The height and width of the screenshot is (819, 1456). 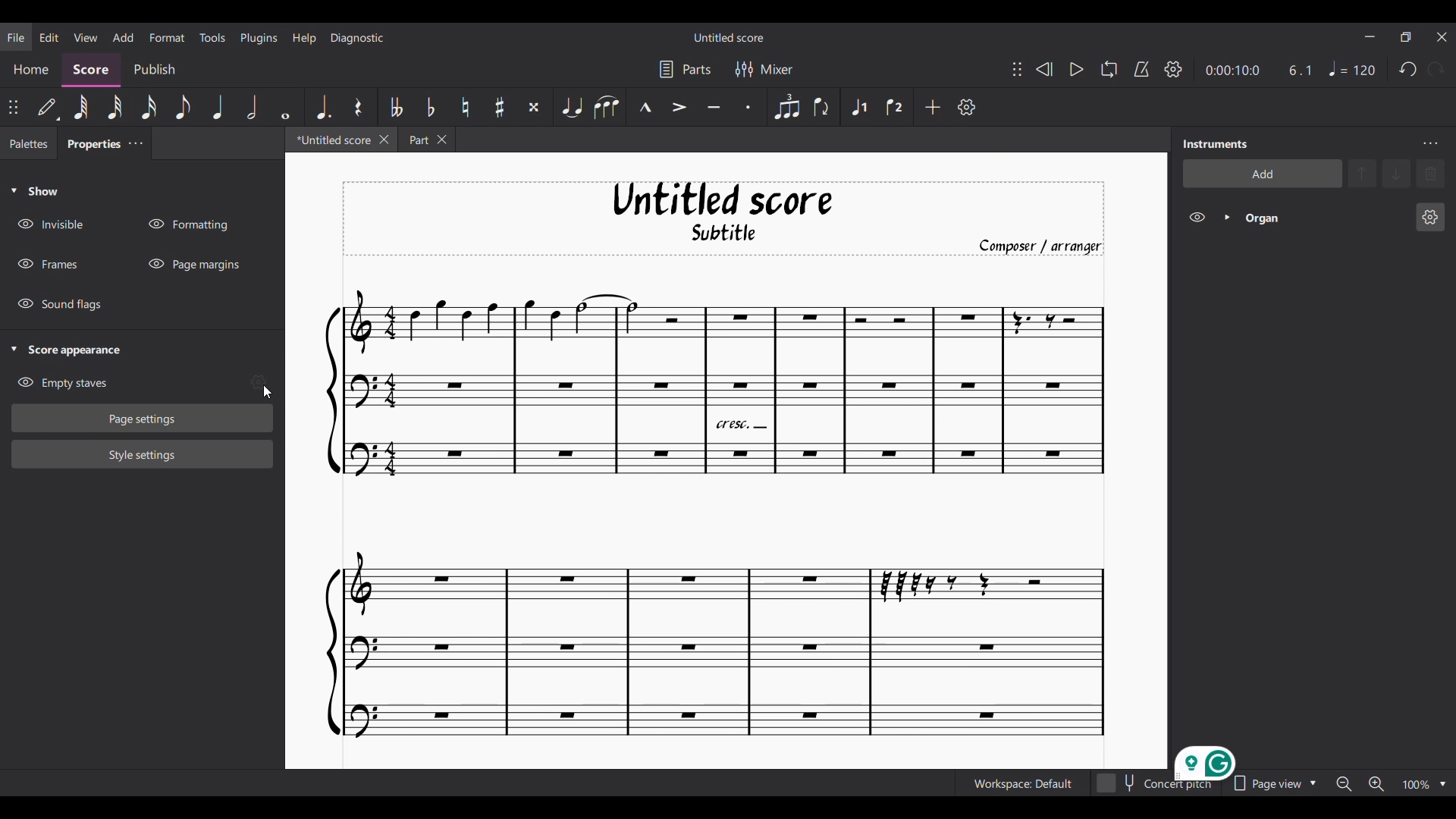 I want to click on Play, so click(x=1077, y=70).